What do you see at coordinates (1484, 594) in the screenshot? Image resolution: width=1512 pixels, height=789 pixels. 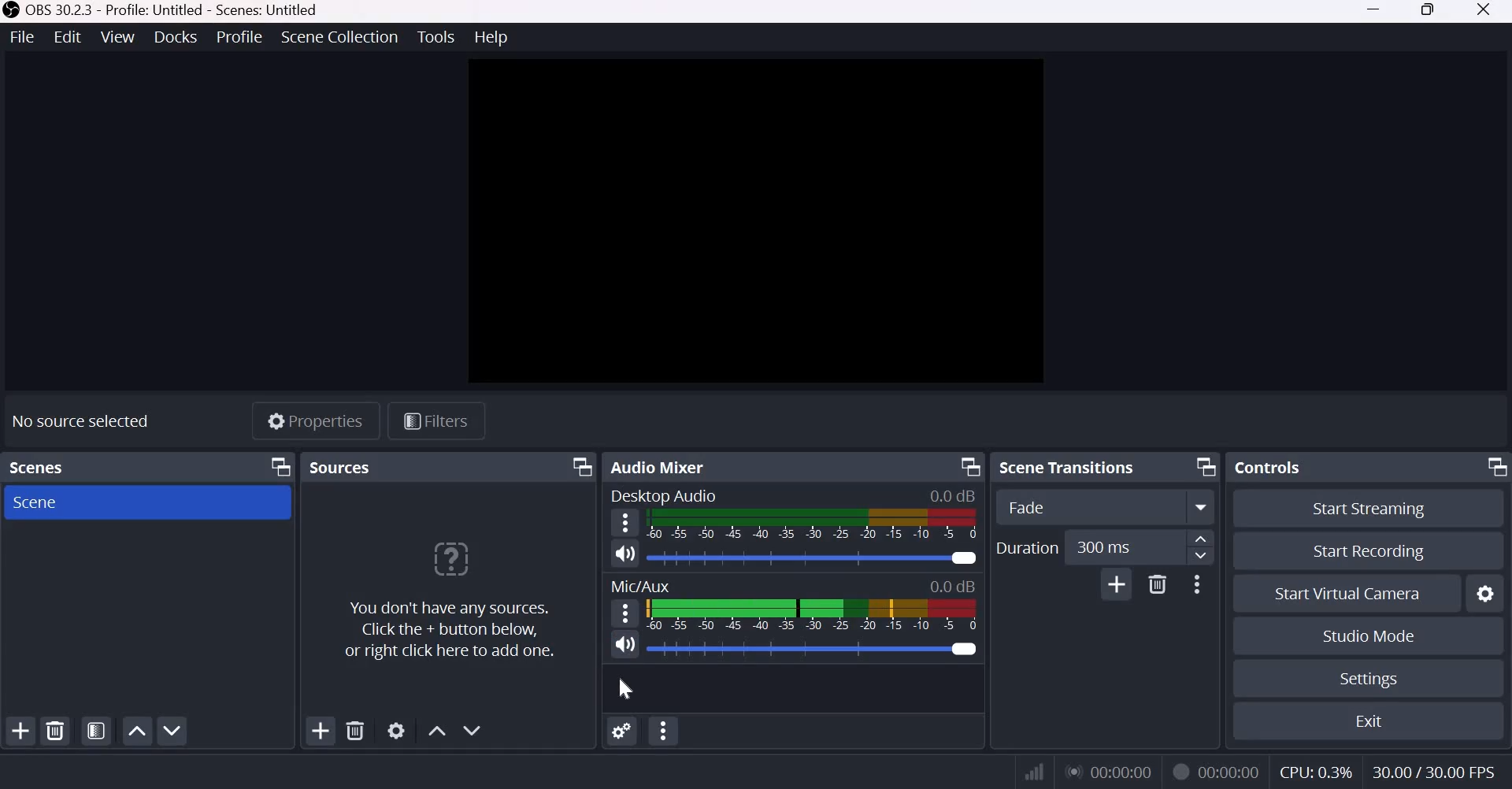 I see `Configure virtual camera` at bounding box center [1484, 594].